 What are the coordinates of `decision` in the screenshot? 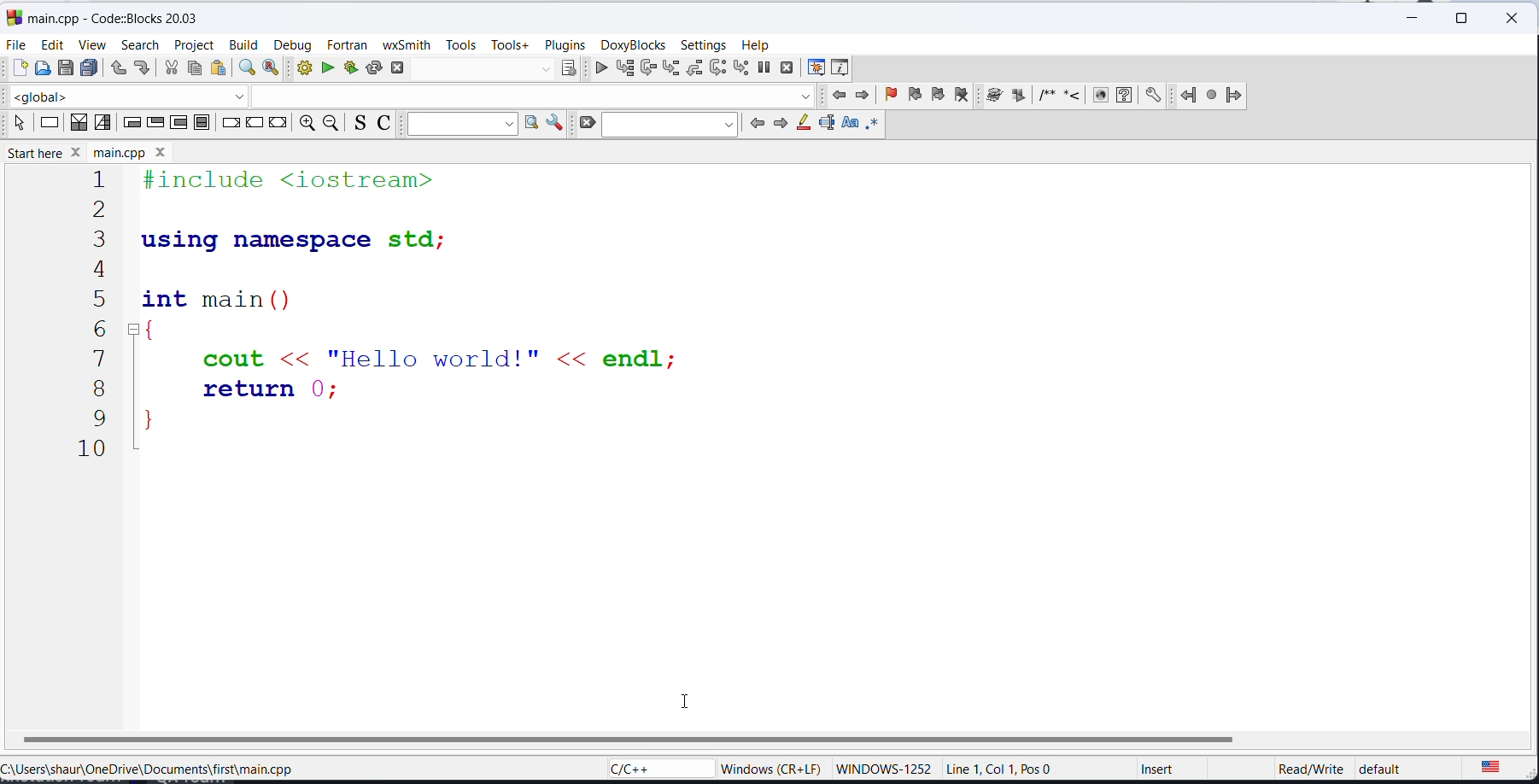 It's located at (79, 125).